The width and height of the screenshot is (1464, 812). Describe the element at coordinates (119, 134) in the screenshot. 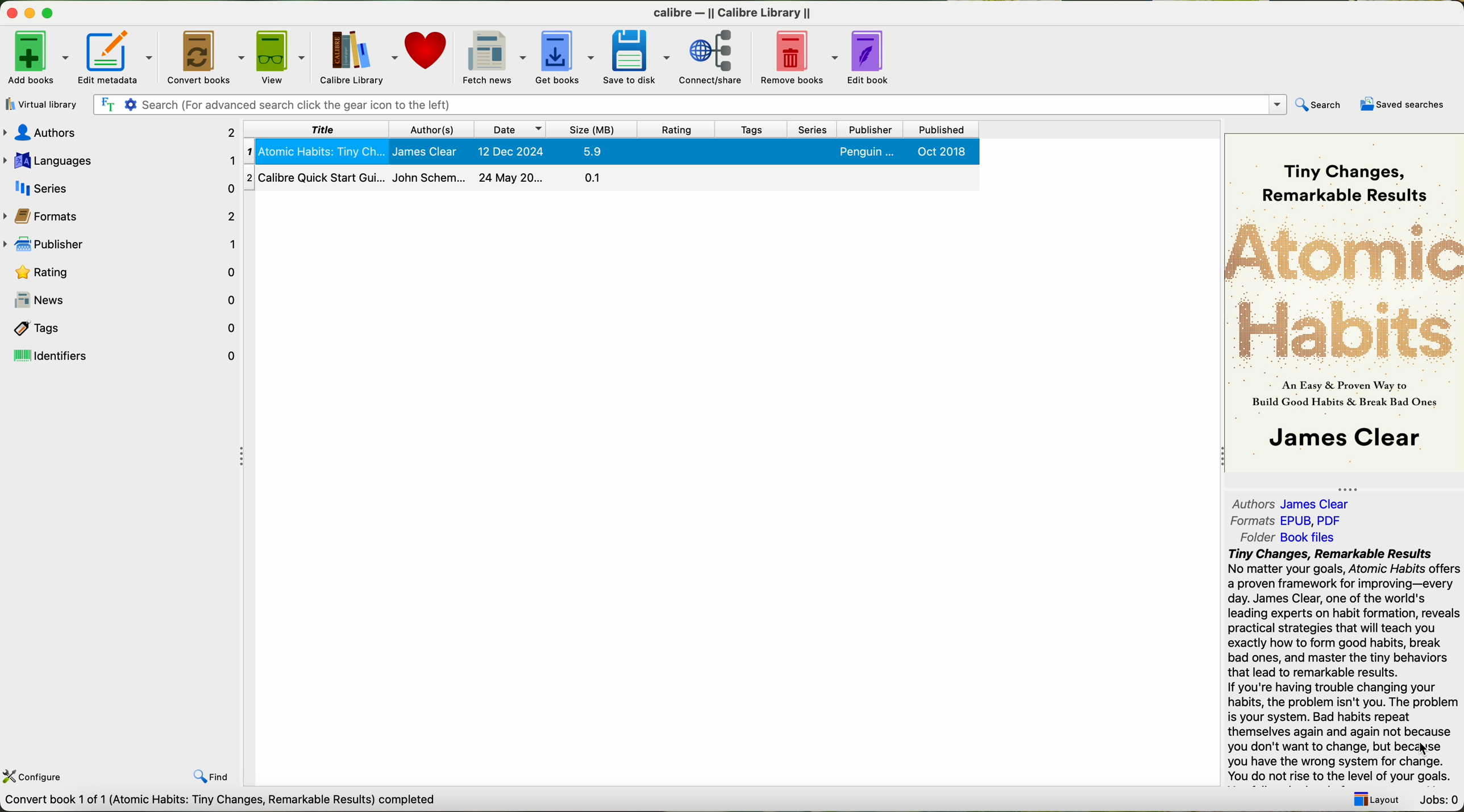

I see `authors` at that location.